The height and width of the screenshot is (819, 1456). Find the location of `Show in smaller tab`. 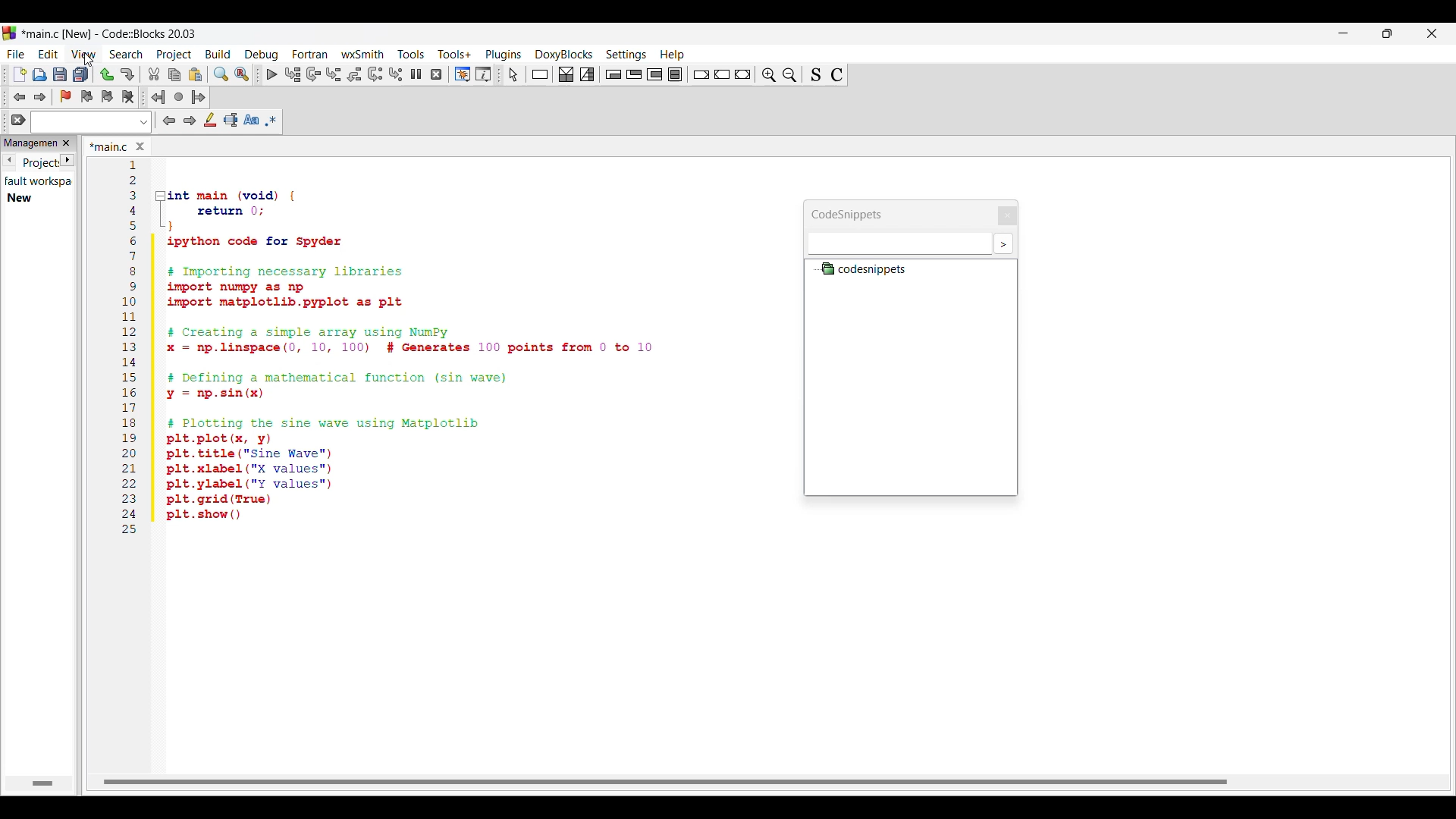

Show in smaller tab is located at coordinates (1387, 33).